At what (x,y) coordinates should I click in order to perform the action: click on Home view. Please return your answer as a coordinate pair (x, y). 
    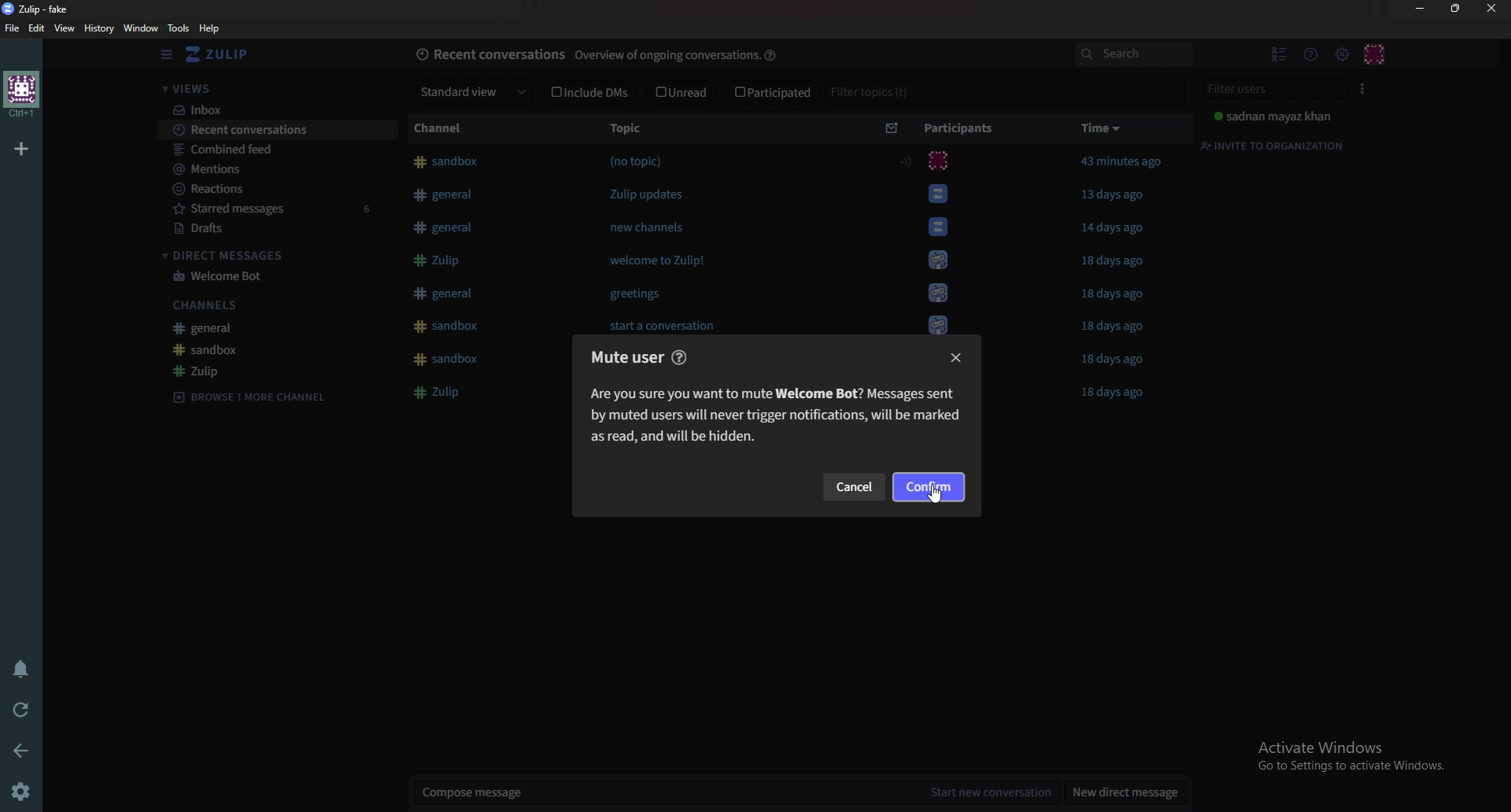
    Looking at the image, I should click on (227, 55).